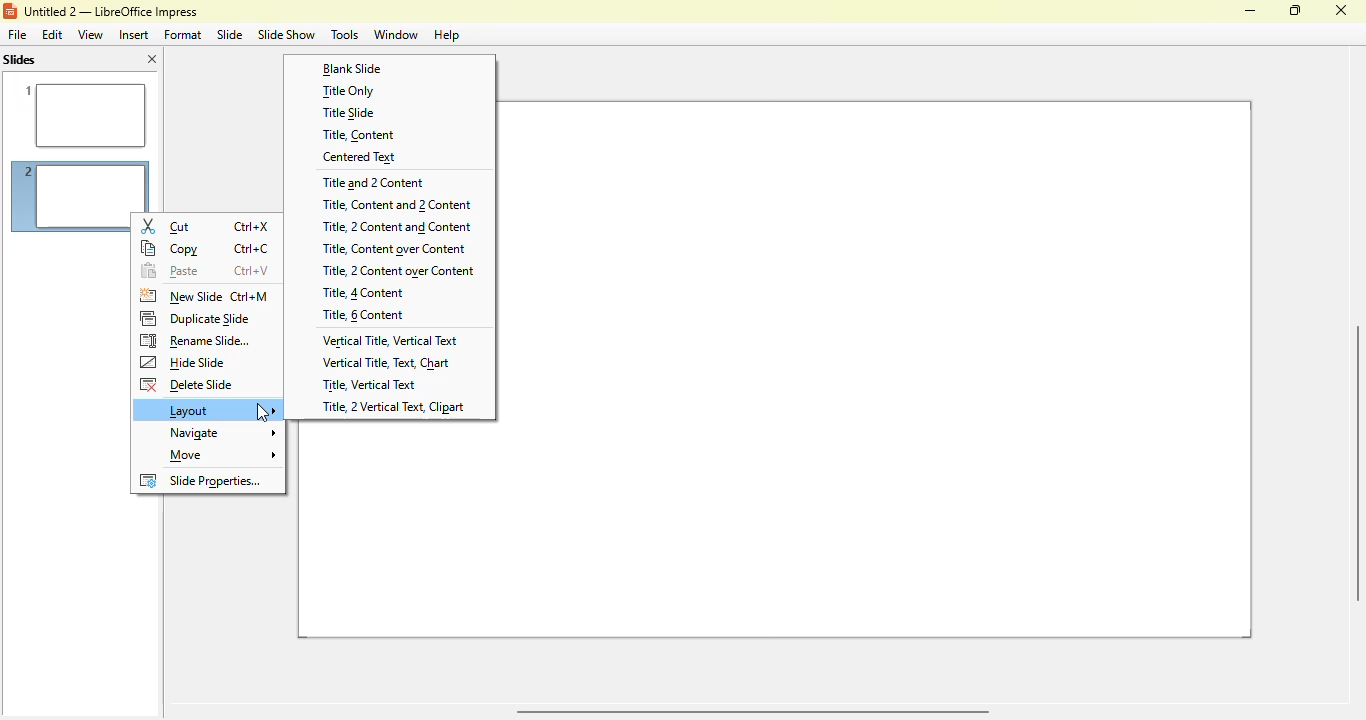 The height and width of the screenshot is (720, 1366). Describe the element at coordinates (400, 205) in the screenshot. I see `title, content and 2 content` at that location.